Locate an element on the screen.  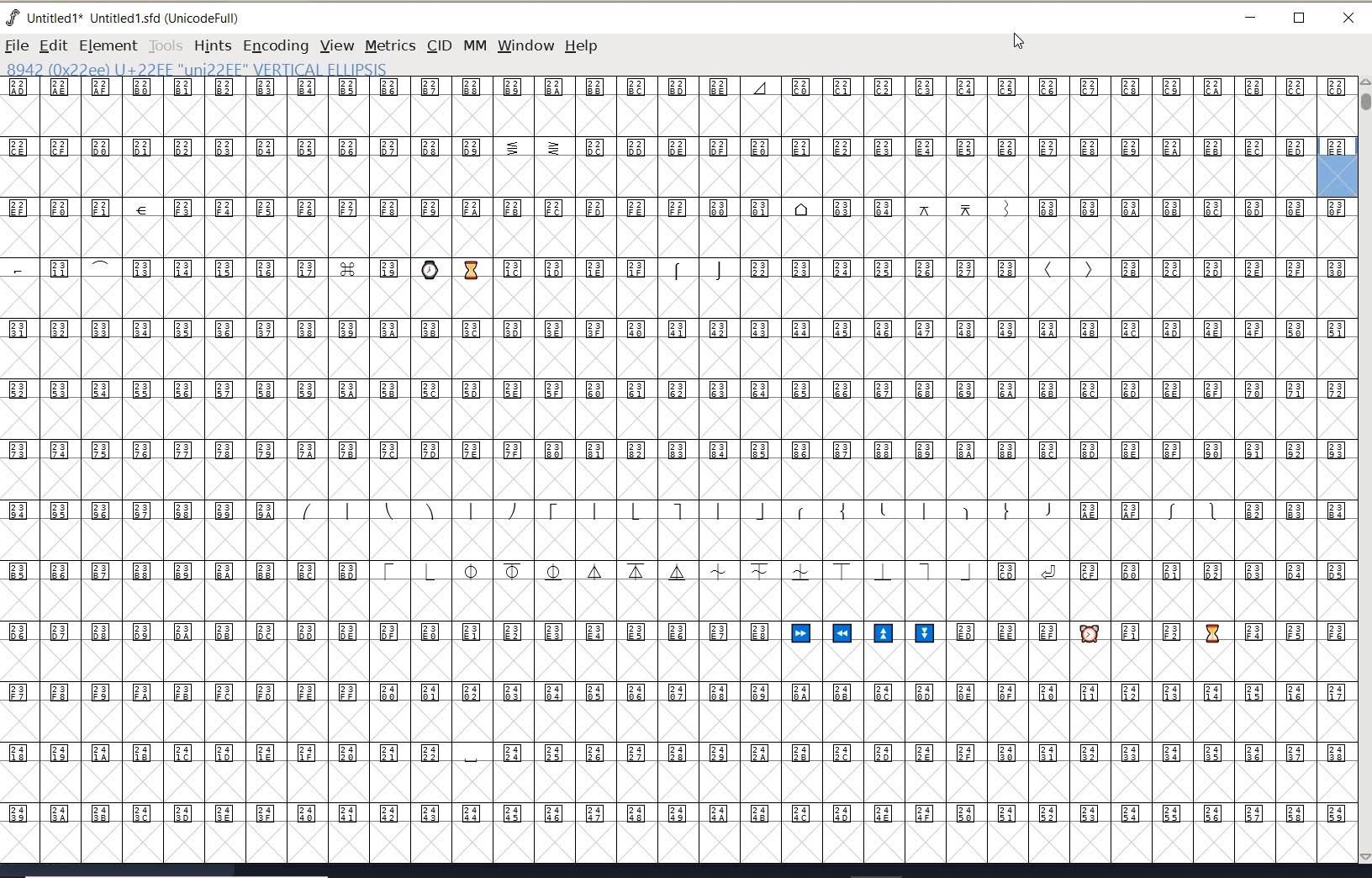
close is located at coordinates (1348, 19).